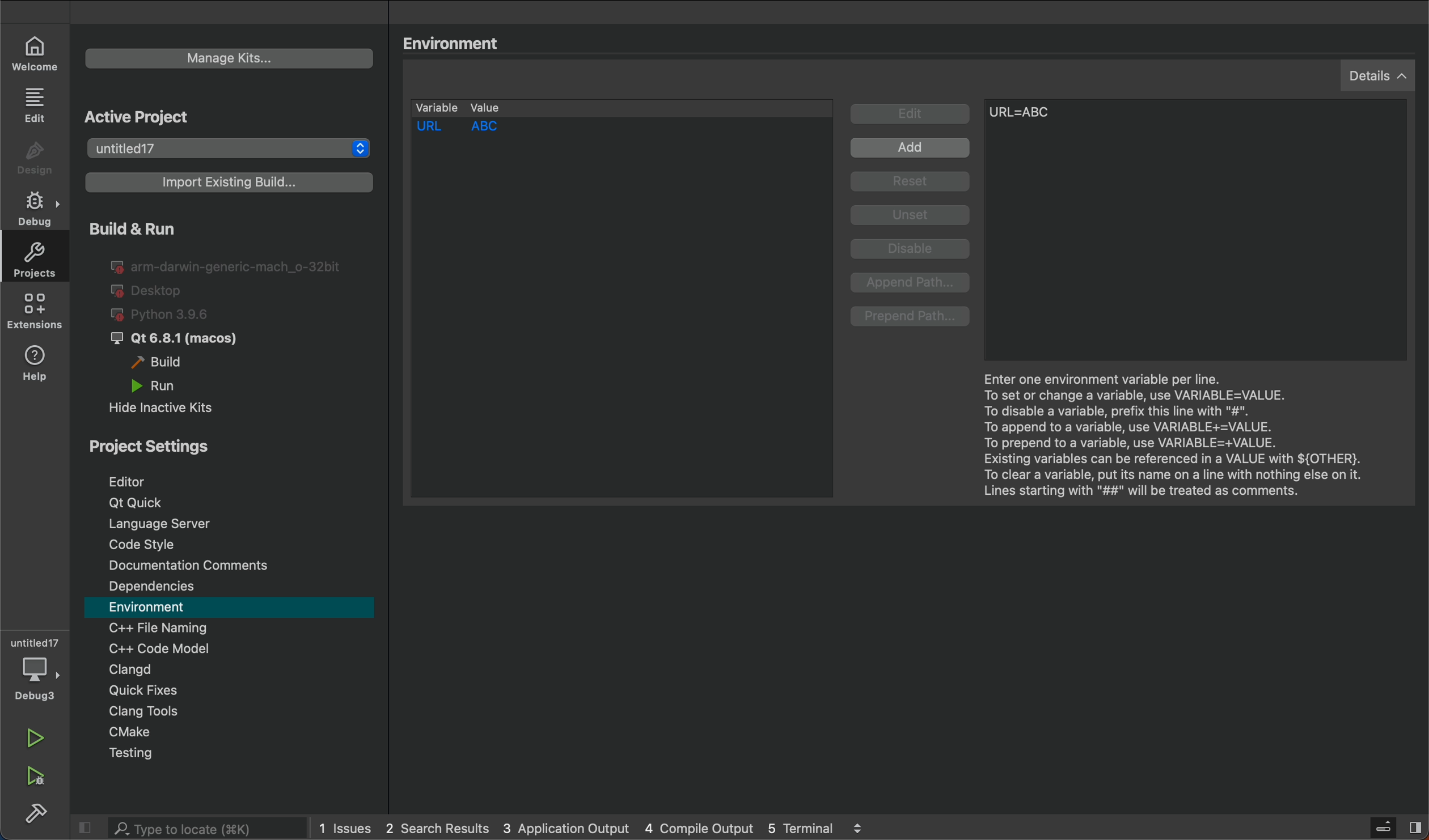 This screenshot has height=840, width=1429. Describe the element at coordinates (459, 41) in the screenshot. I see `Environment` at that location.